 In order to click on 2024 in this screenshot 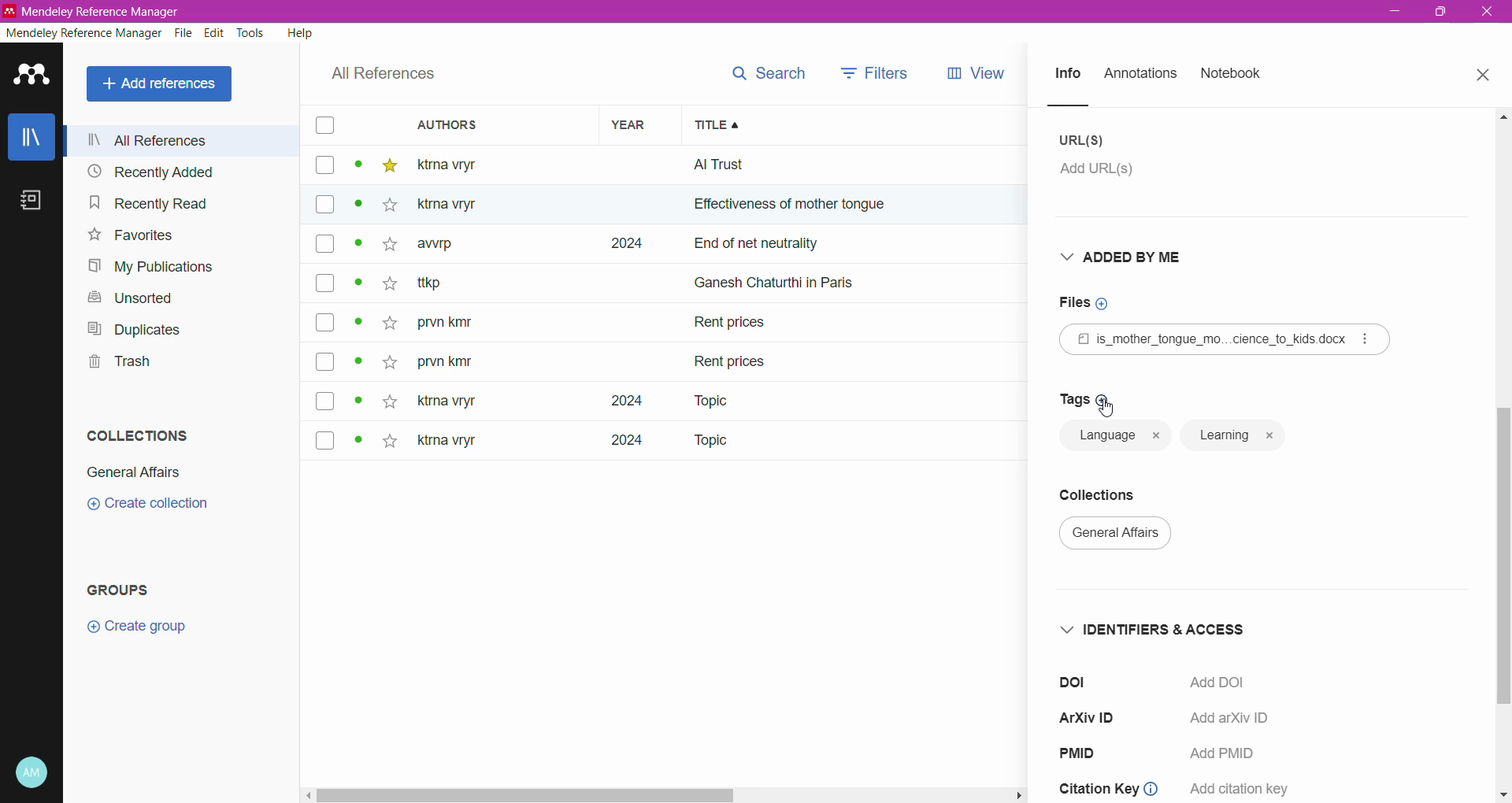, I will do `click(617, 446)`.